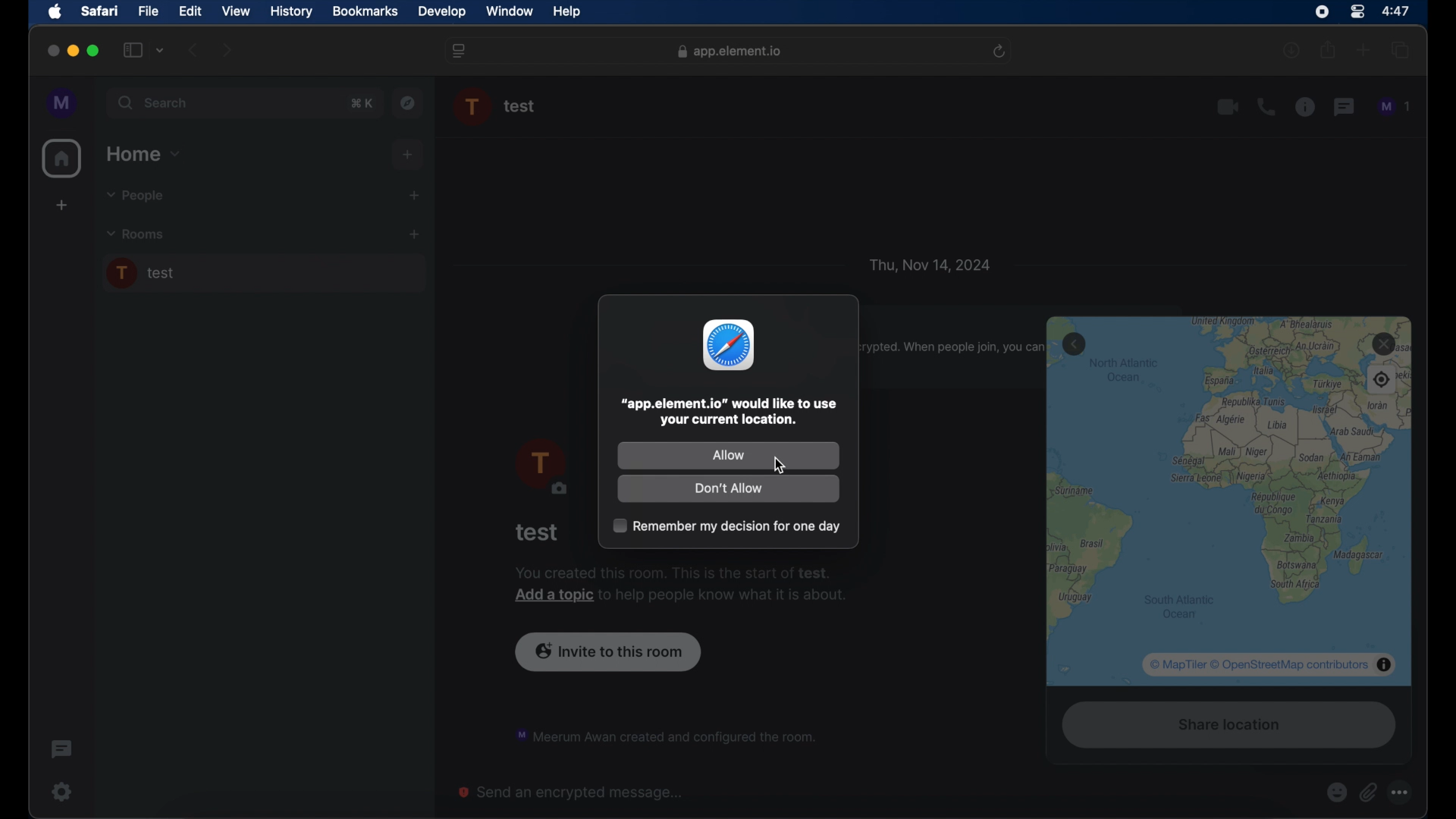 The height and width of the screenshot is (819, 1456). I want to click on refresh, so click(1001, 51).